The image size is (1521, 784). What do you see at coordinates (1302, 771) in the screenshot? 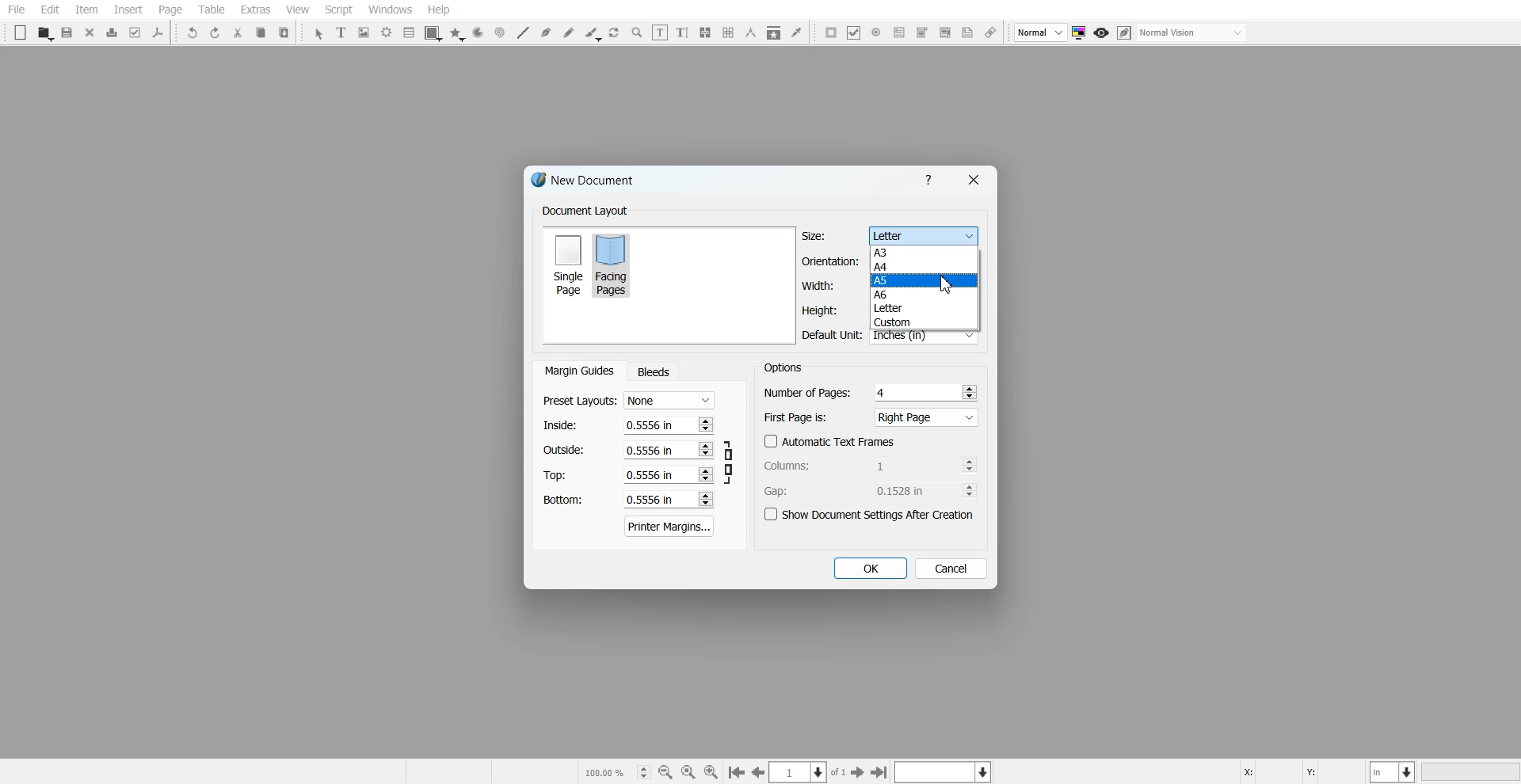
I see `X, Y Co-ordinate` at bounding box center [1302, 771].